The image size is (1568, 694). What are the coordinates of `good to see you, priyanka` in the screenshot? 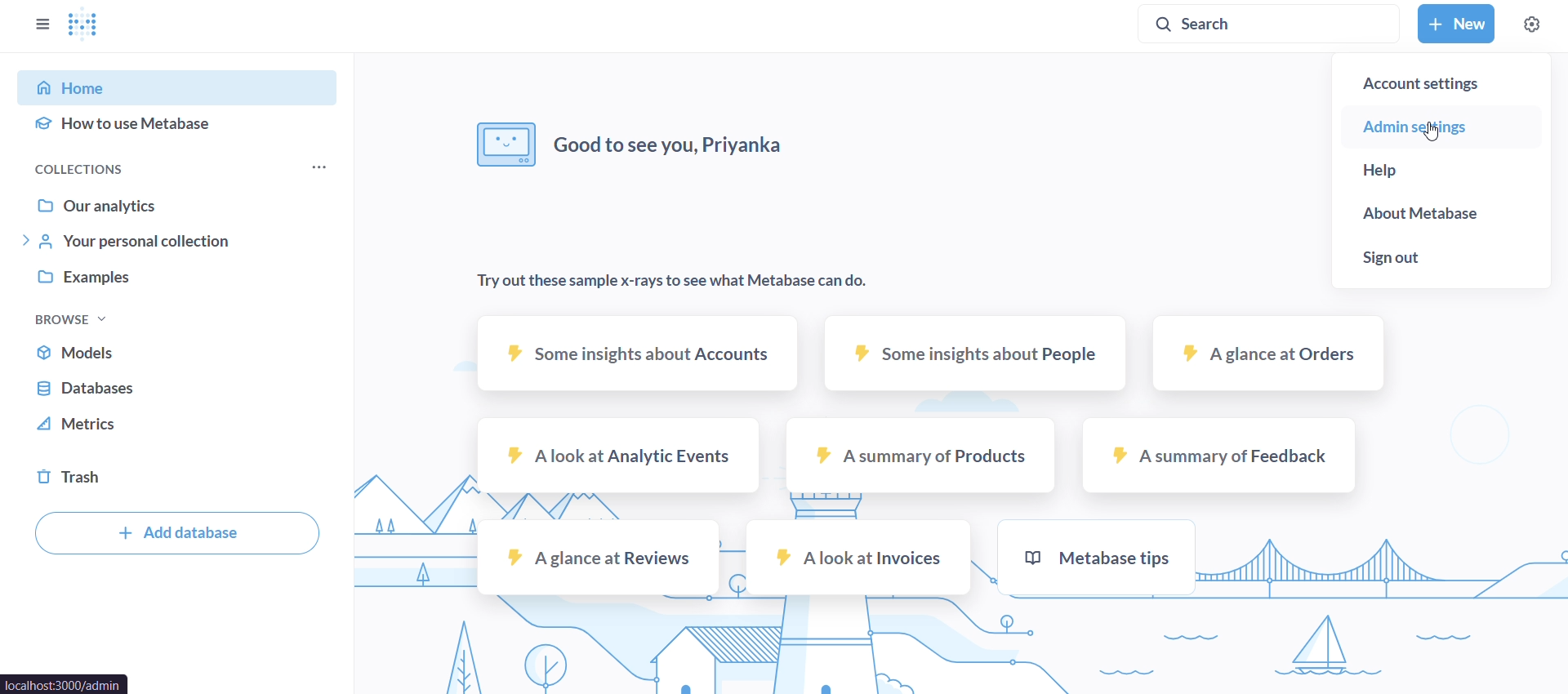 It's located at (635, 146).